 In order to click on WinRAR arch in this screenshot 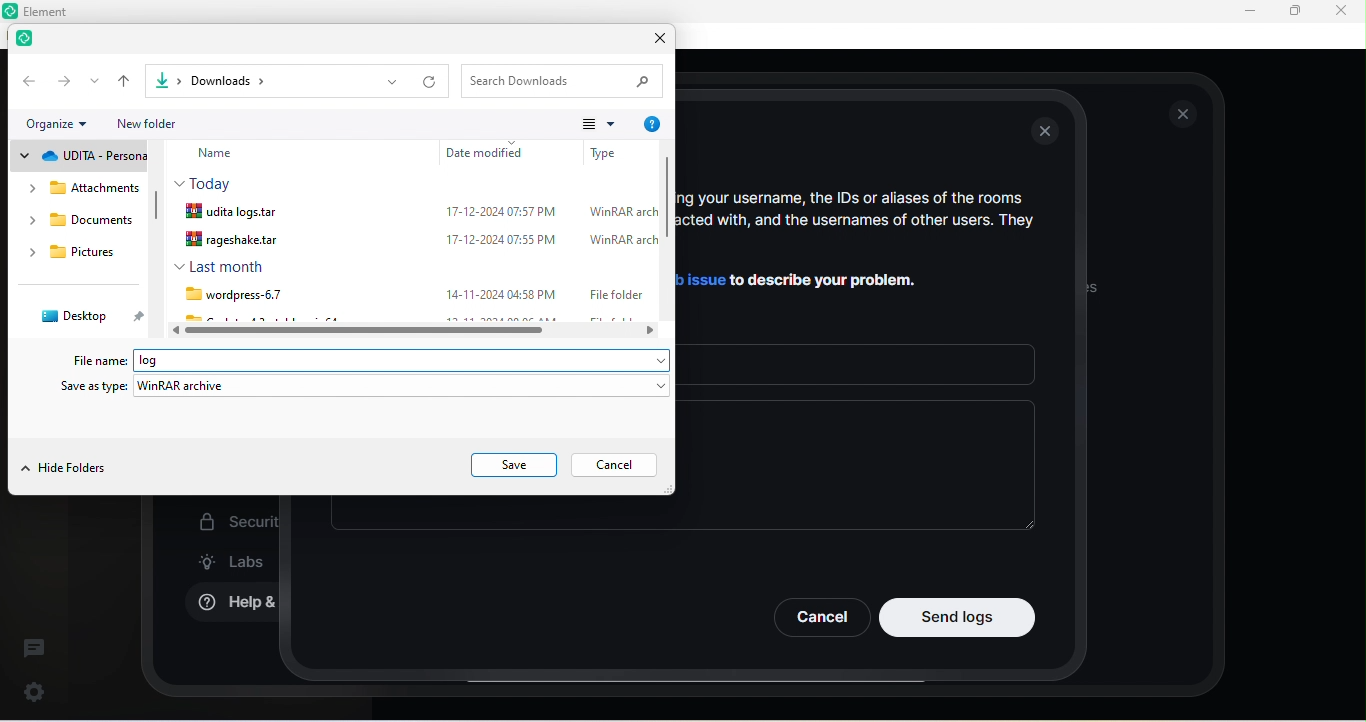, I will do `click(622, 212)`.